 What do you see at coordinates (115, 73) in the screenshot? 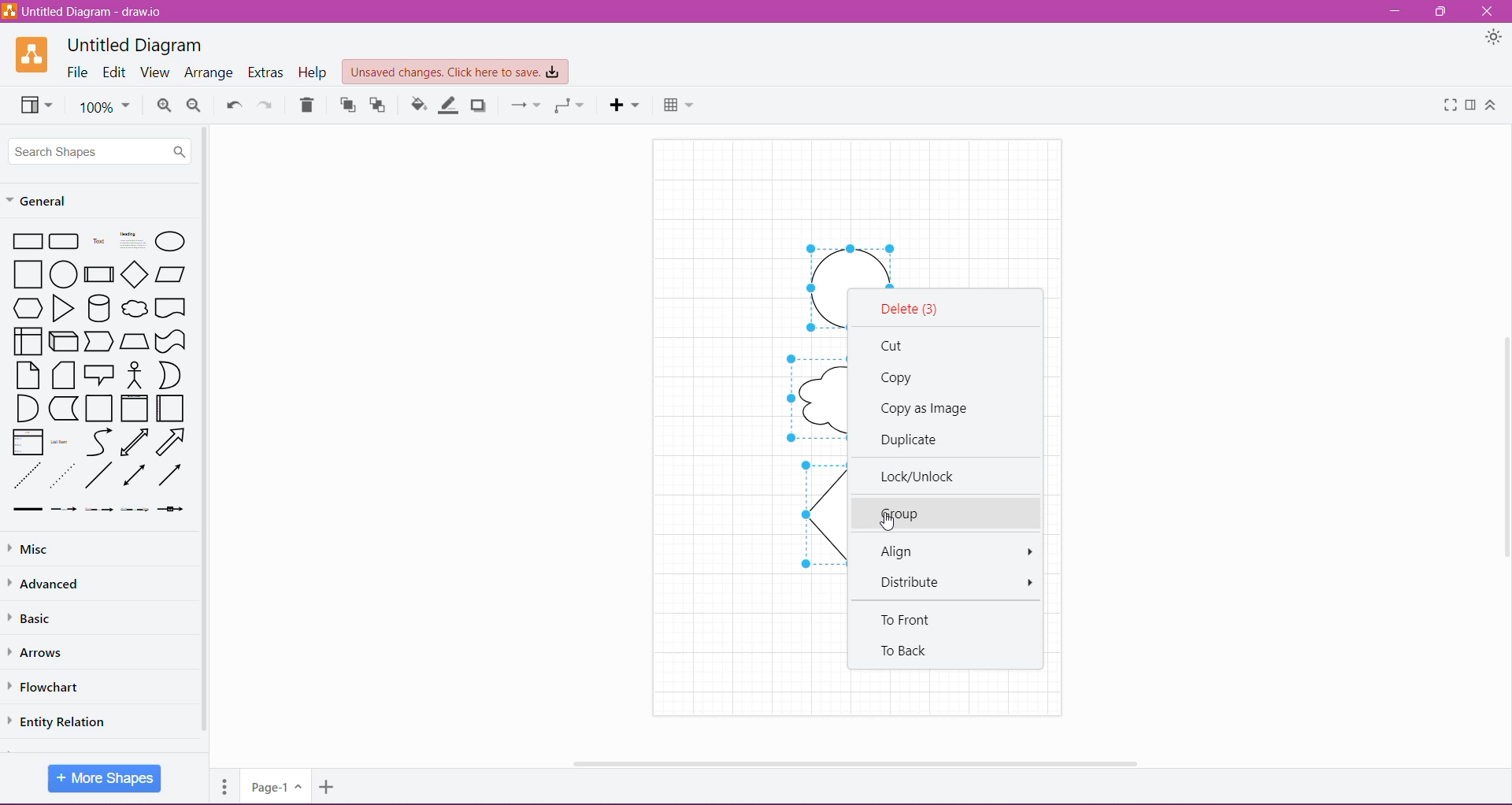
I see `Edit` at bounding box center [115, 73].